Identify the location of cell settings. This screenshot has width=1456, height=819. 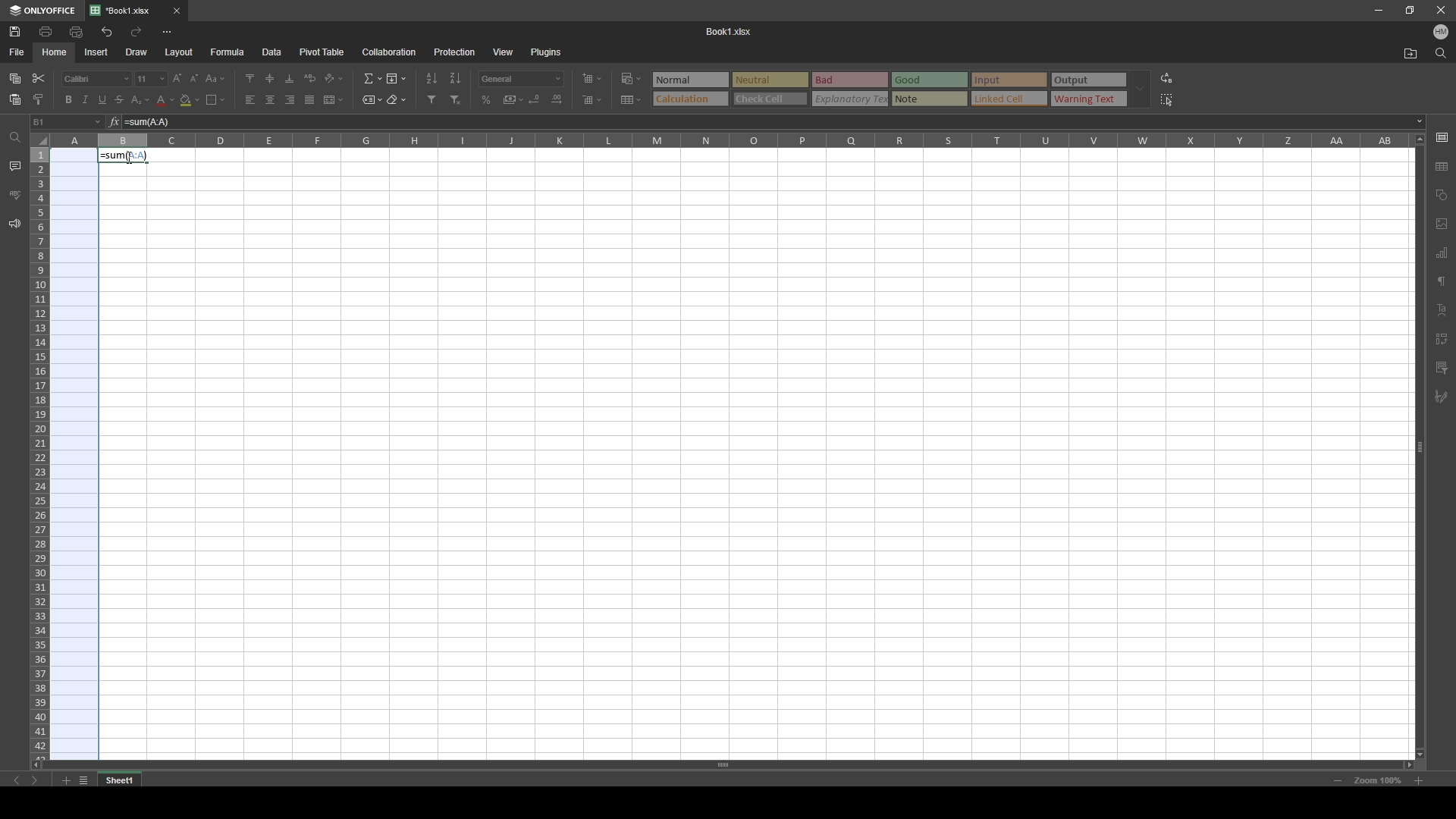
(1442, 136).